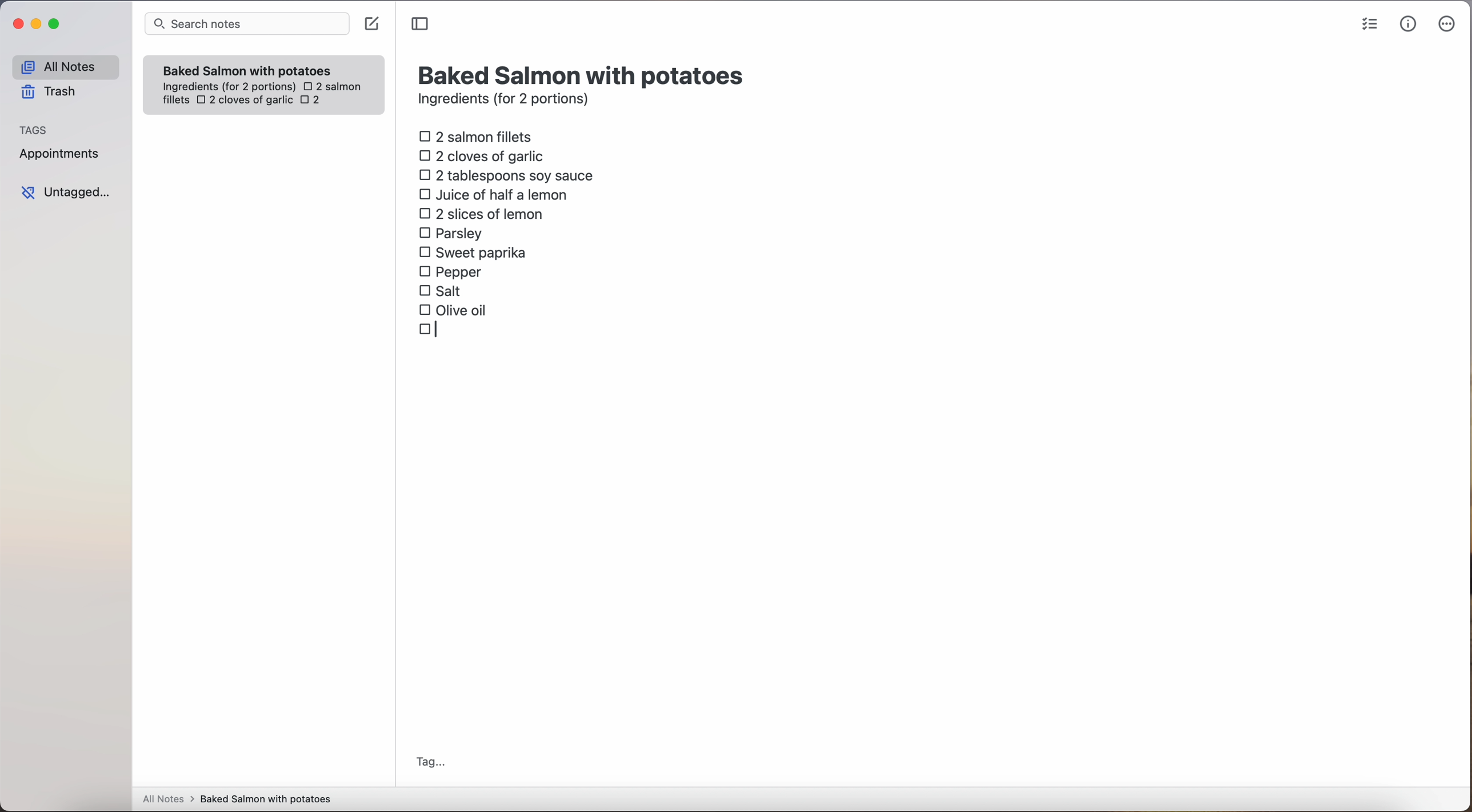 This screenshot has width=1472, height=812. Describe the element at coordinates (177, 101) in the screenshot. I see `fillets` at that location.